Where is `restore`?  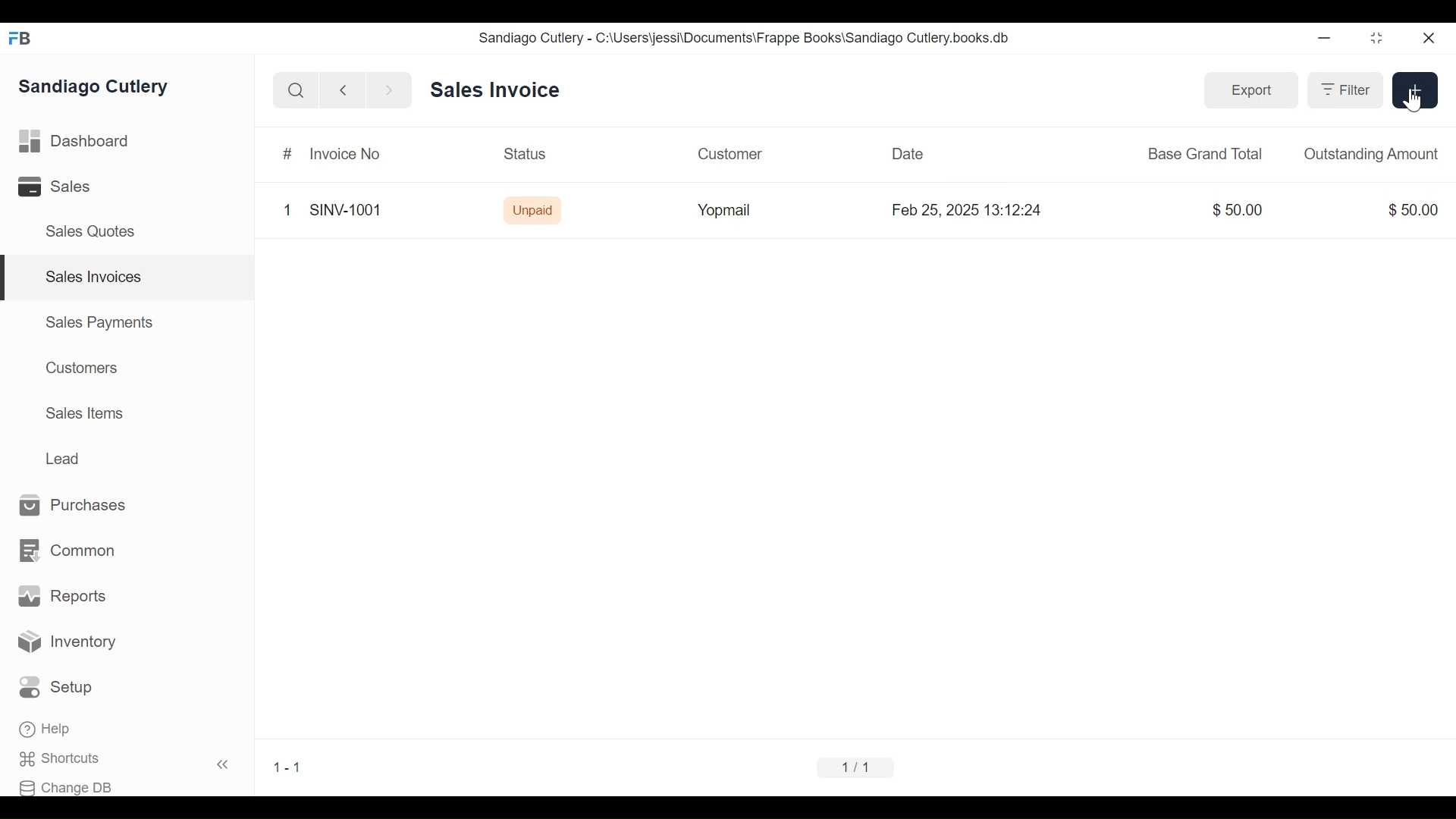
restore is located at coordinates (1376, 37).